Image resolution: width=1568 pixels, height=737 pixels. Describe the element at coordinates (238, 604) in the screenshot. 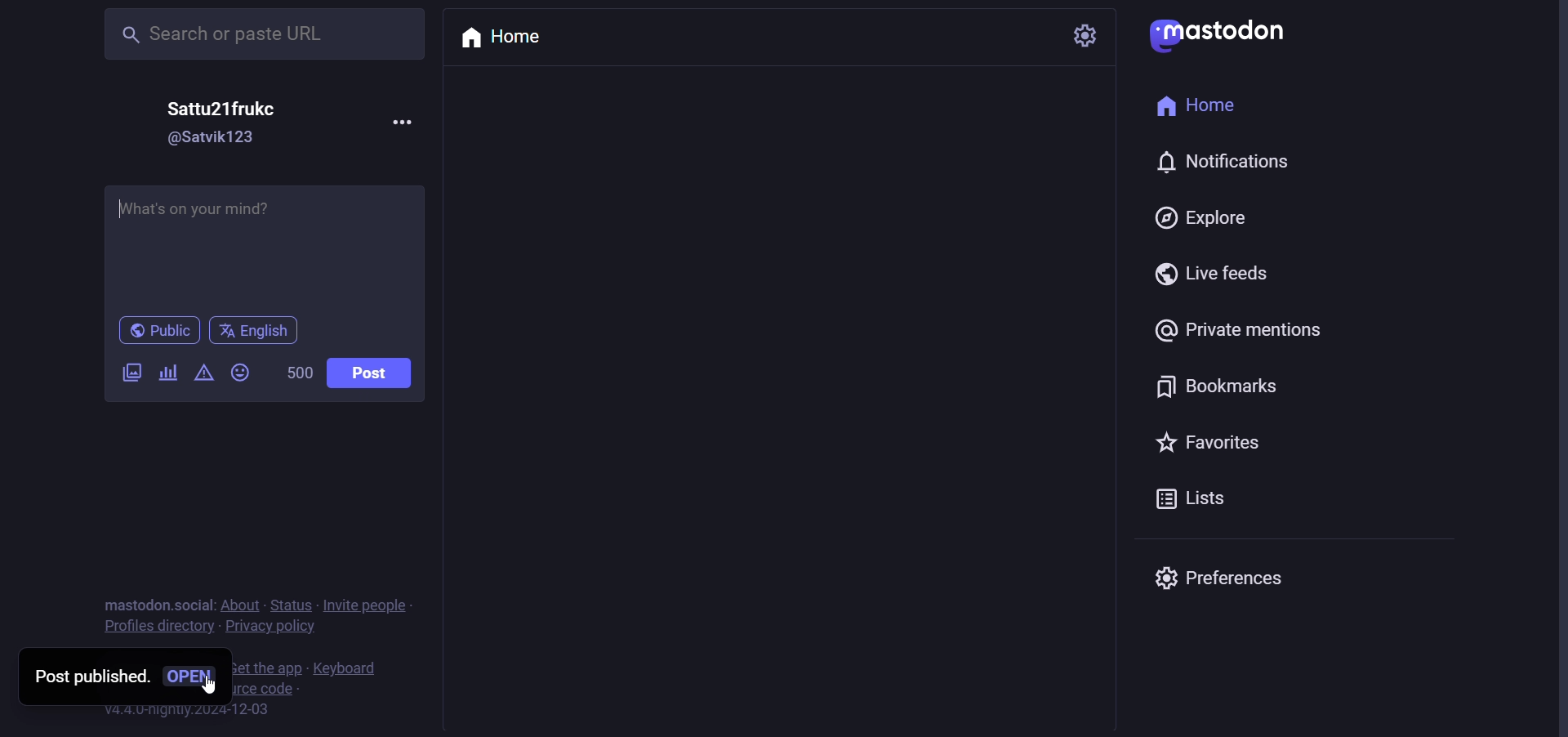

I see `about` at that location.